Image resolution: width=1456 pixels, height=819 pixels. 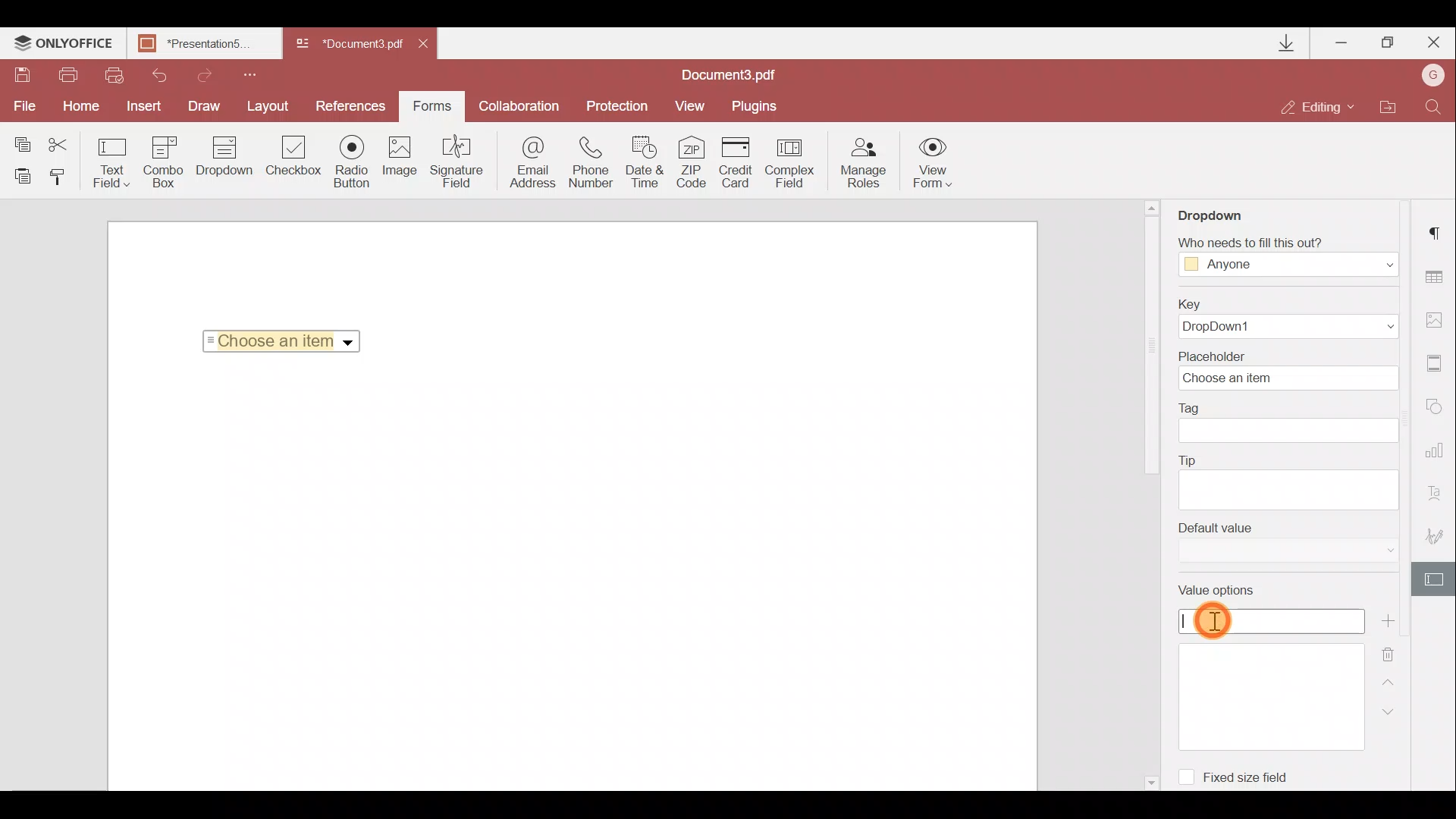 What do you see at coordinates (431, 101) in the screenshot?
I see `Forms` at bounding box center [431, 101].